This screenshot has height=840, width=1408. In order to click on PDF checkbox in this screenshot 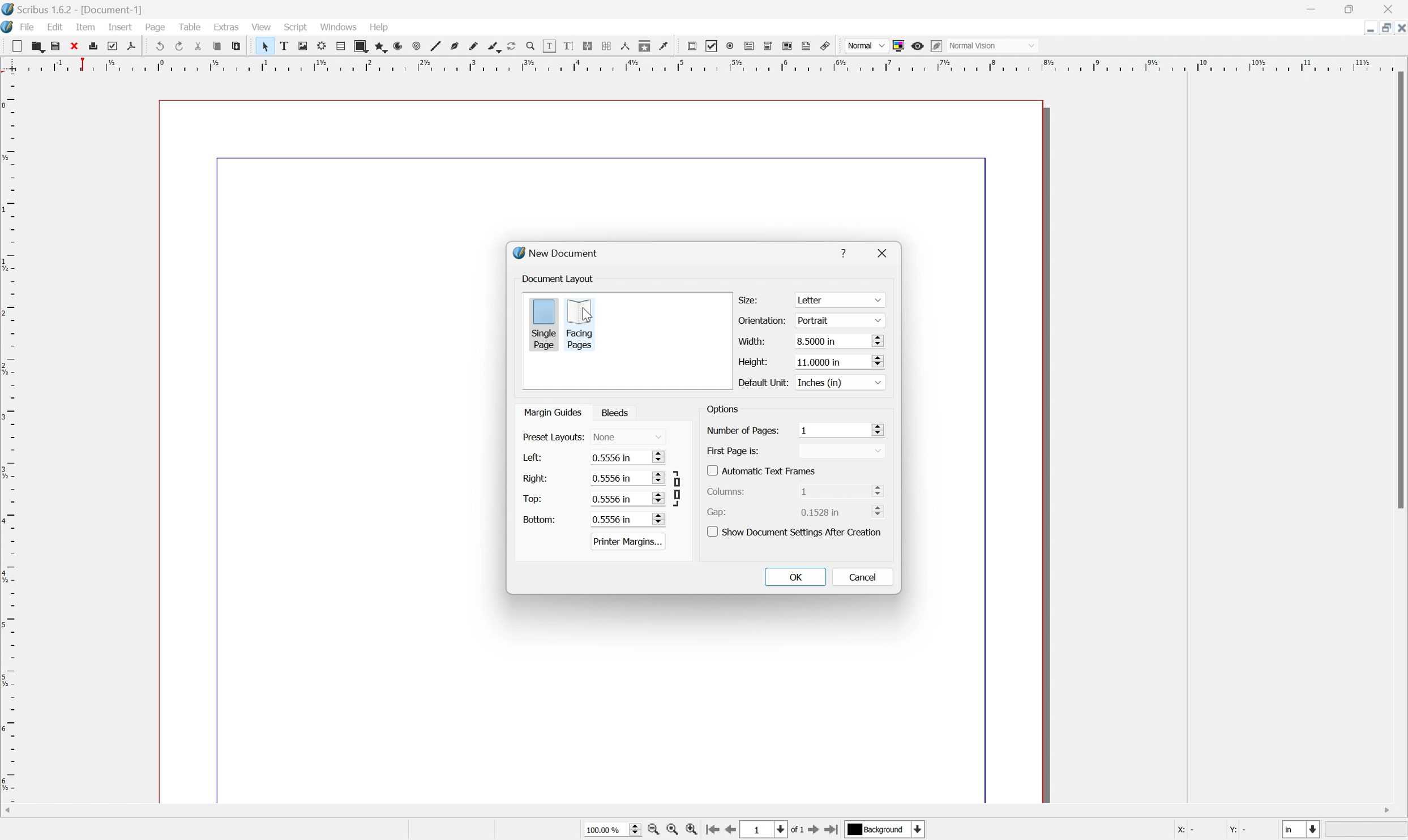, I will do `click(711, 45)`.